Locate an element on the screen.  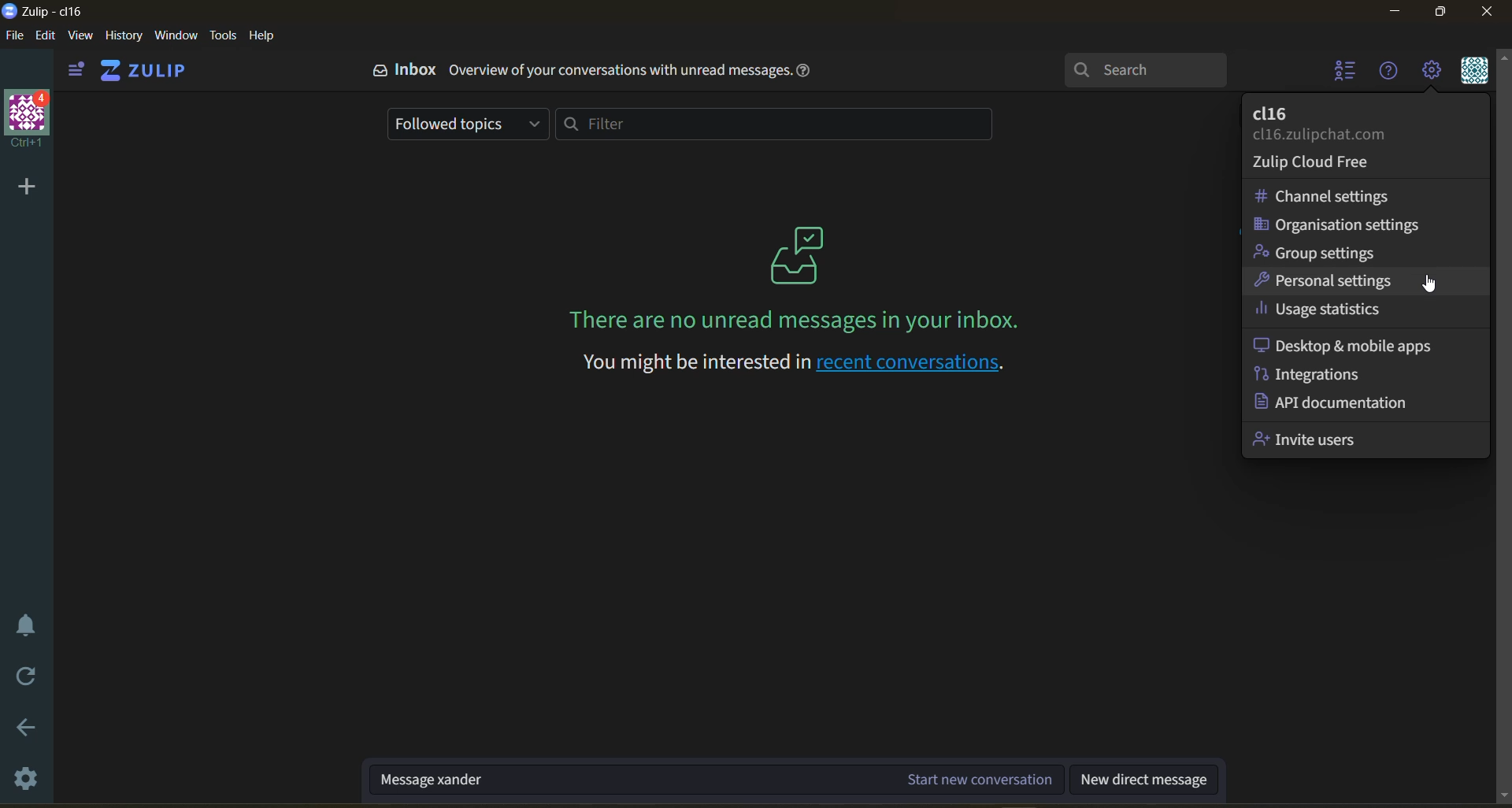
organisation name and profile picture is located at coordinates (27, 120).